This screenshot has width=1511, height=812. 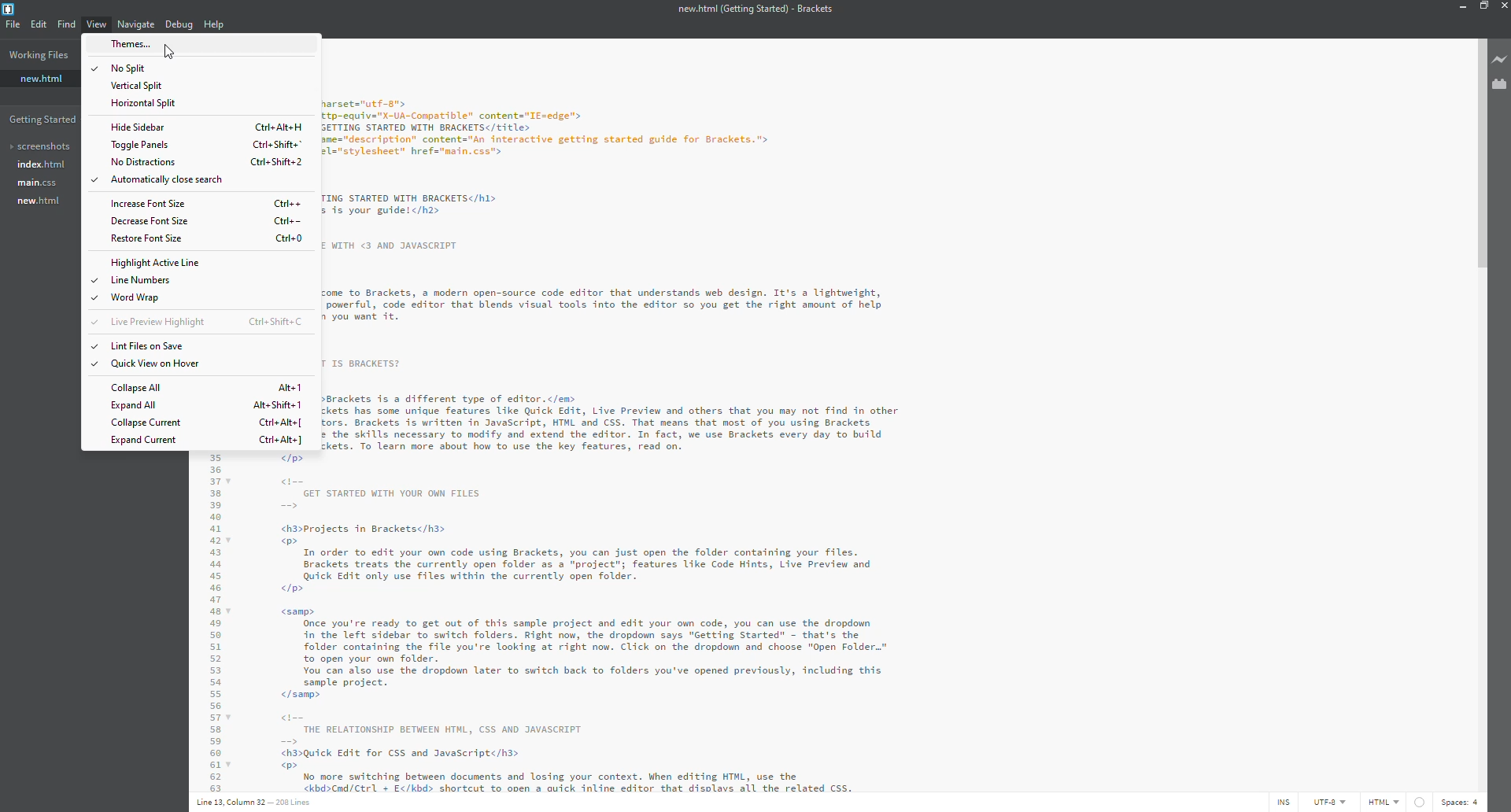 What do you see at coordinates (279, 127) in the screenshot?
I see `shortcut` at bounding box center [279, 127].